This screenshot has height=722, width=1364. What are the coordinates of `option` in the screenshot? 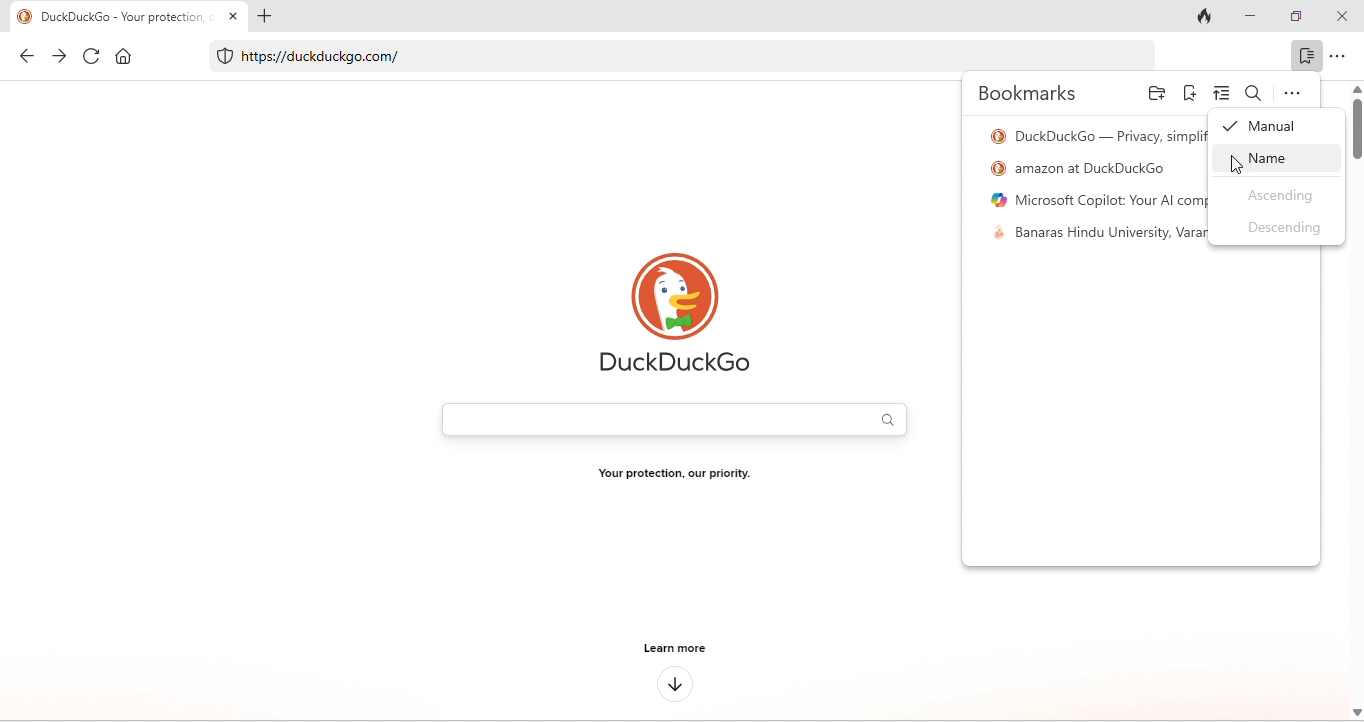 It's located at (1289, 94).